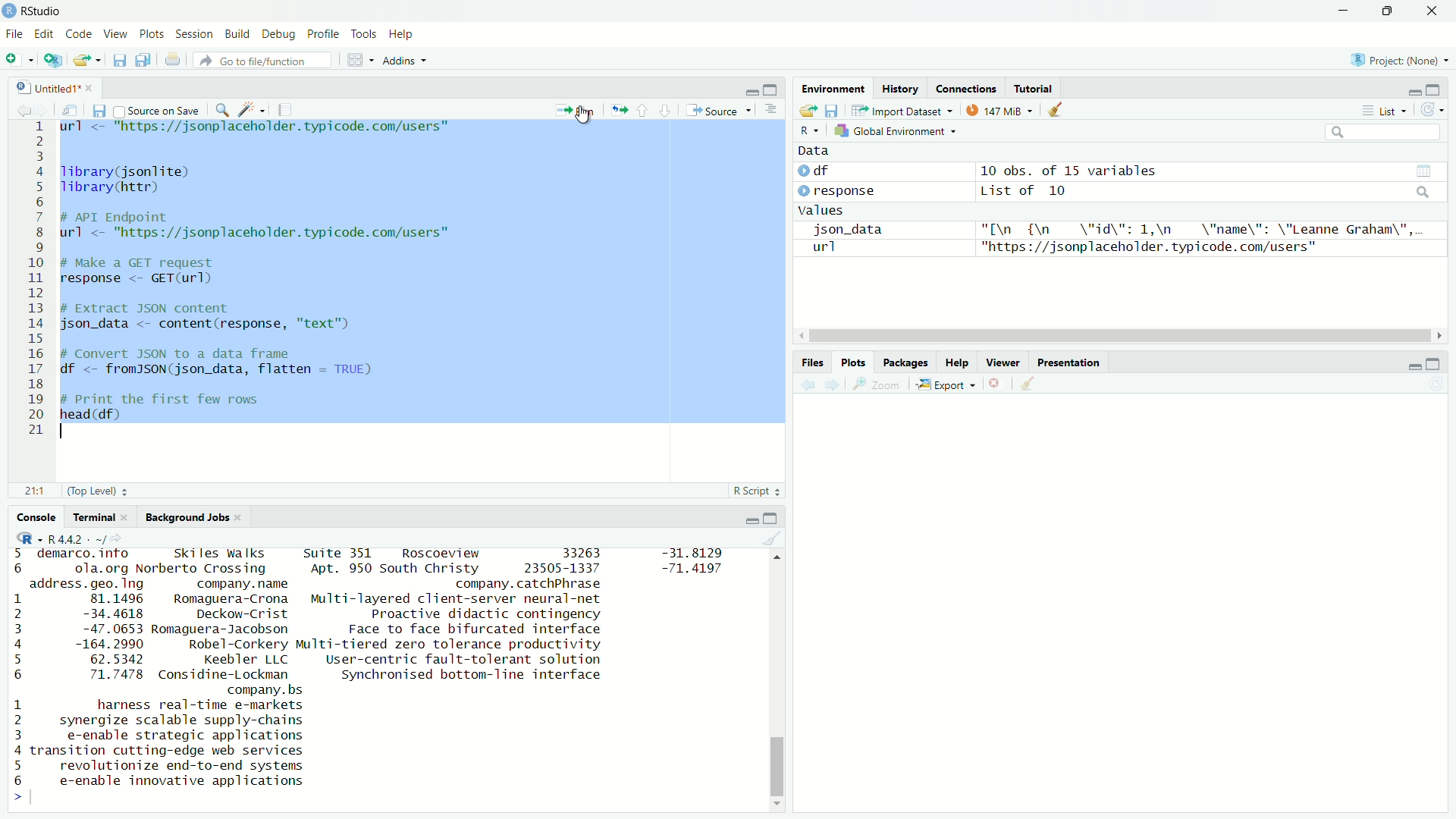 Image resolution: width=1456 pixels, height=819 pixels. Describe the element at coordinates (24, 799) in the screenshot. I see `Move right` at that location.